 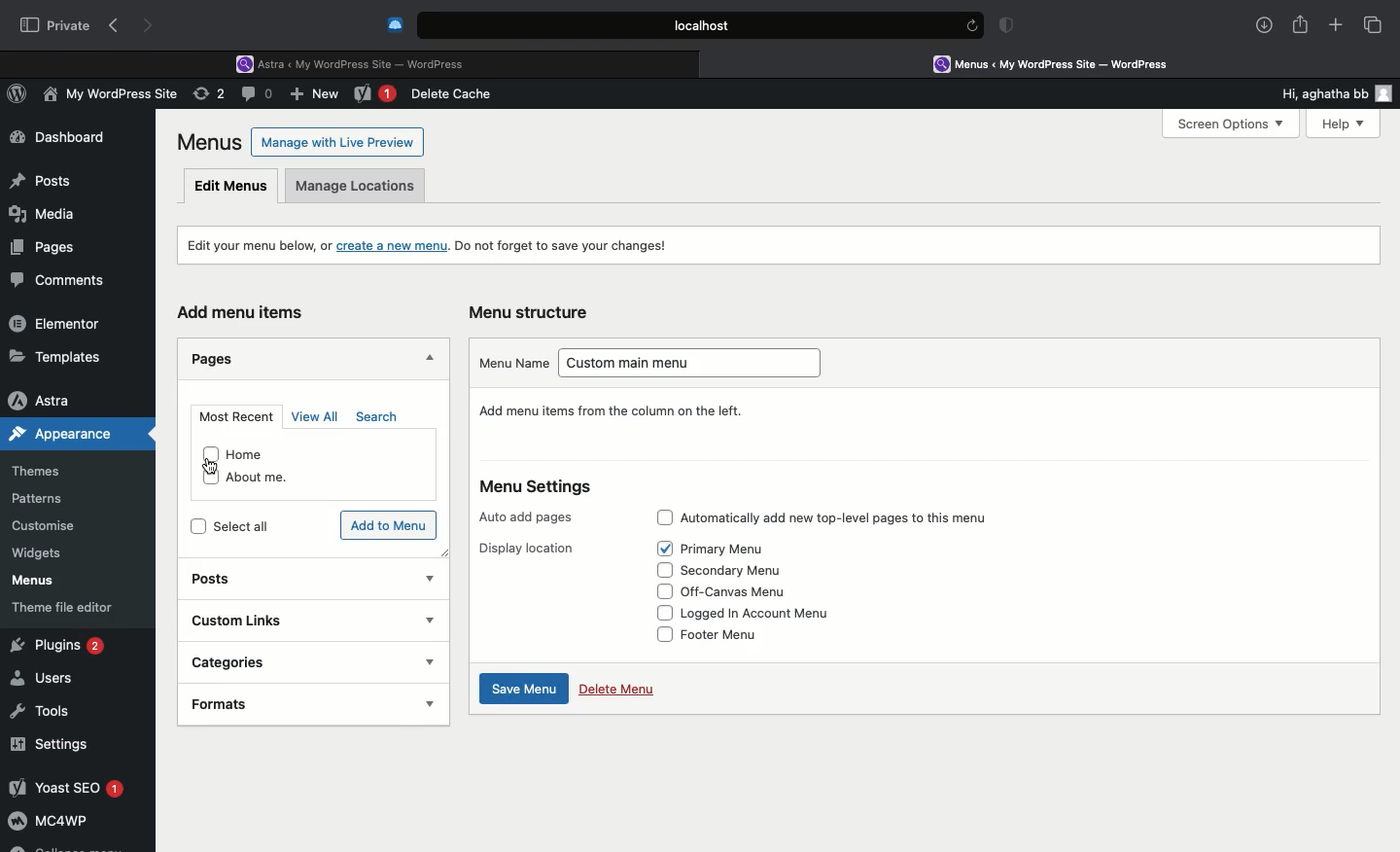 What do you see at coordinates (203, 453) in the screenshot?
I see `checkbox` at bounding box center [203, 453].